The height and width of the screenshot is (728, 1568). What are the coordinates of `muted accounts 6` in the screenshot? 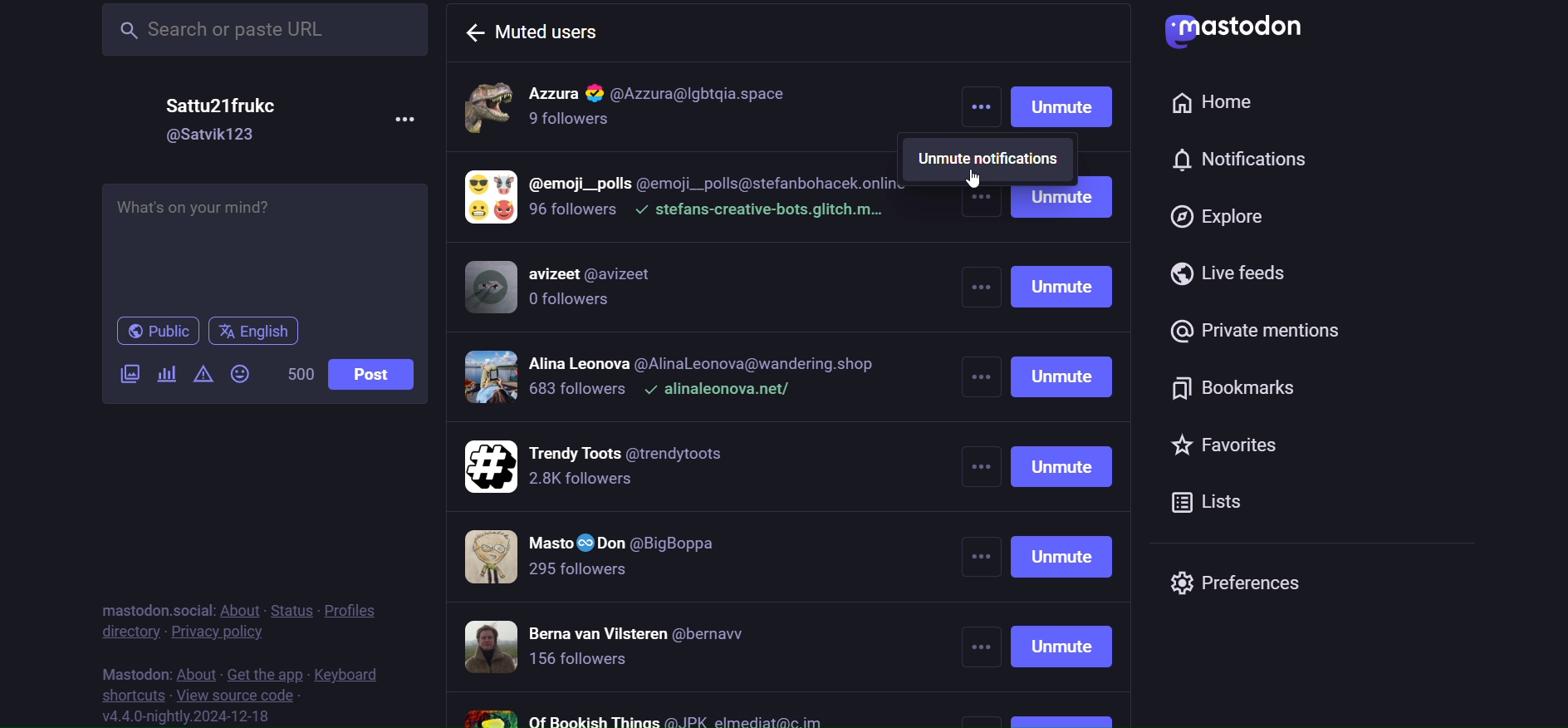 It's located at (616, 562).